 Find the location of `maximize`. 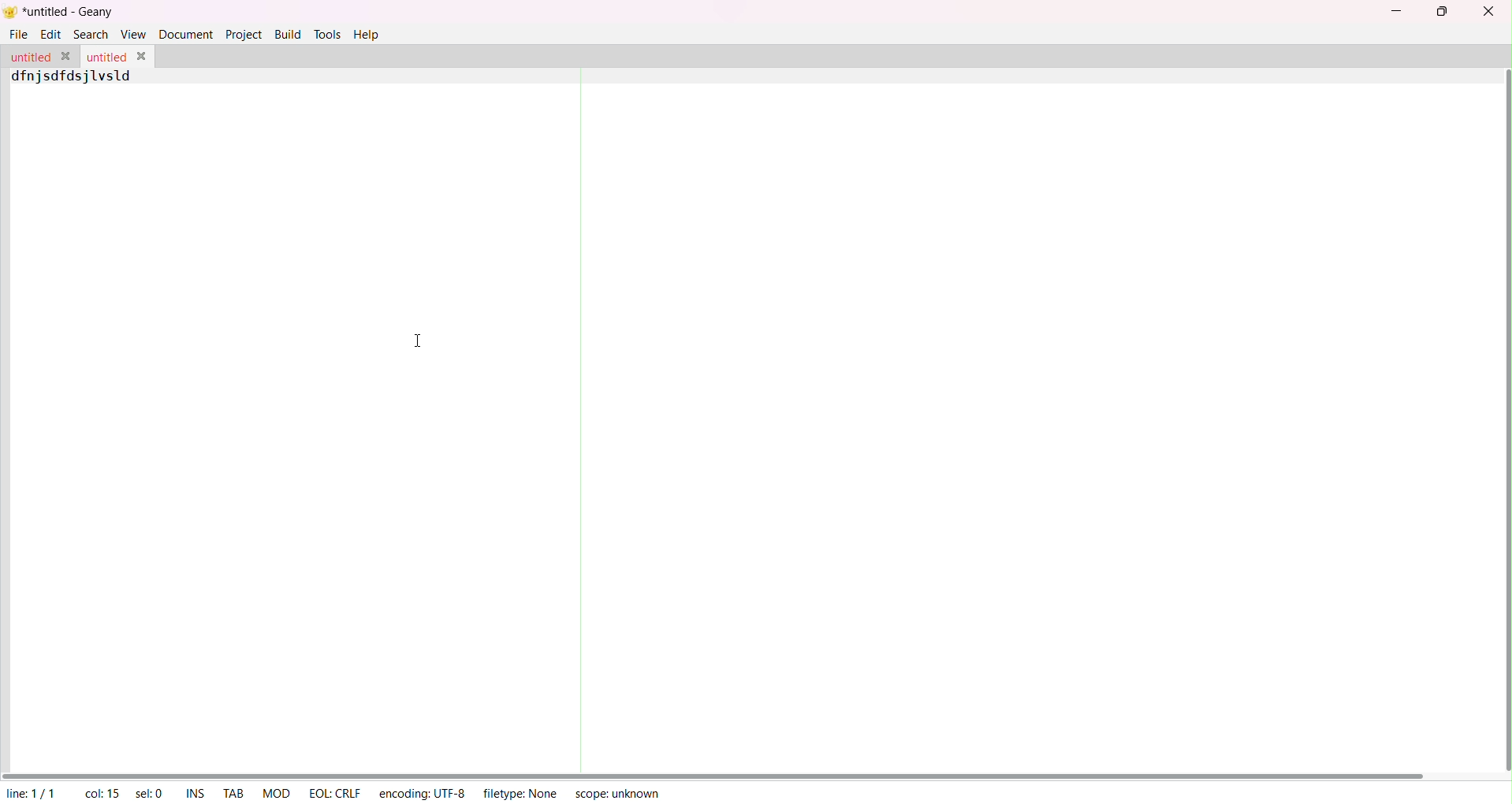

maximize is located at coordinates (1445, 12).